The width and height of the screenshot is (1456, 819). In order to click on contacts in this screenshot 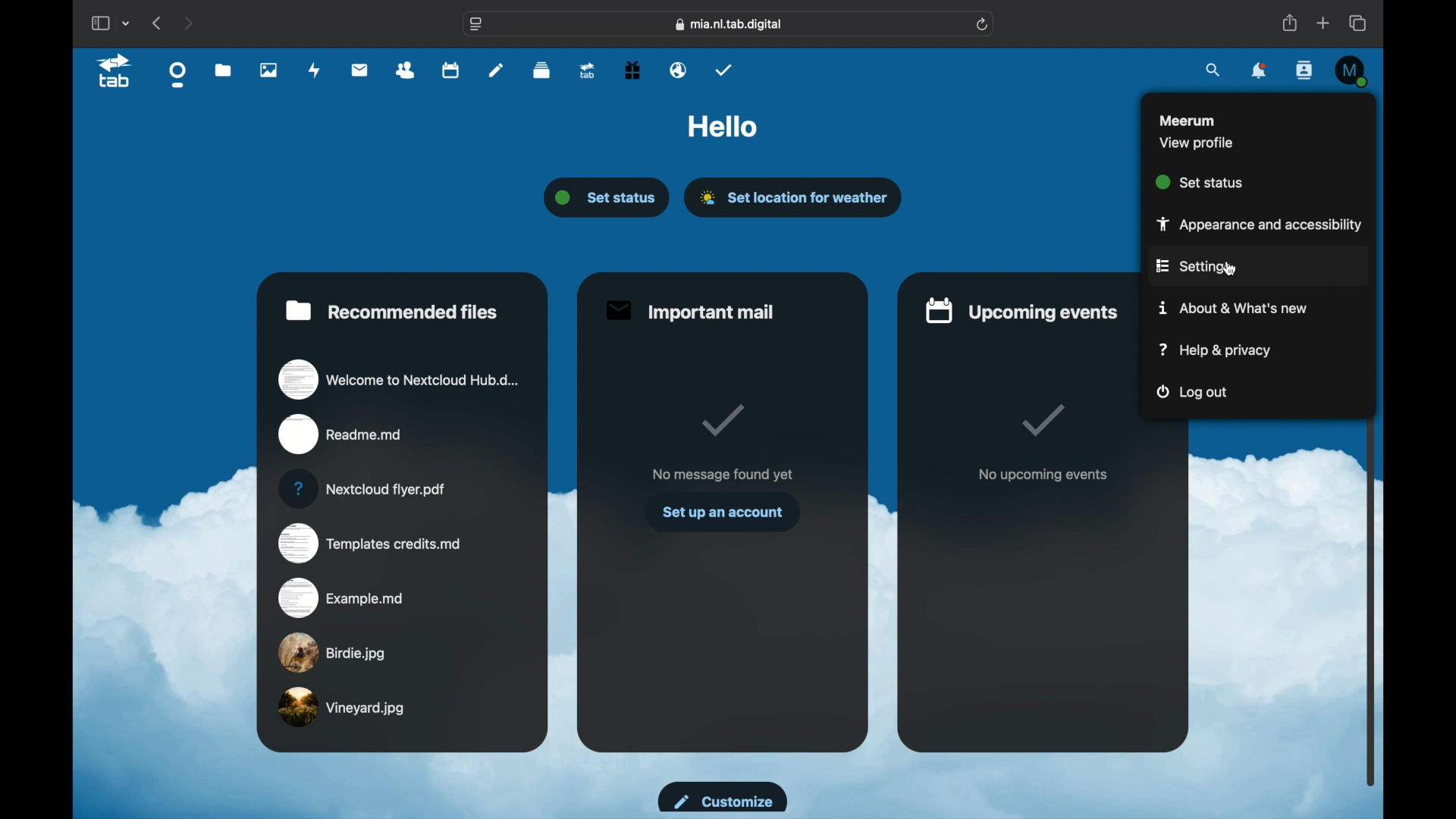, I will do `click(406, 70)`.